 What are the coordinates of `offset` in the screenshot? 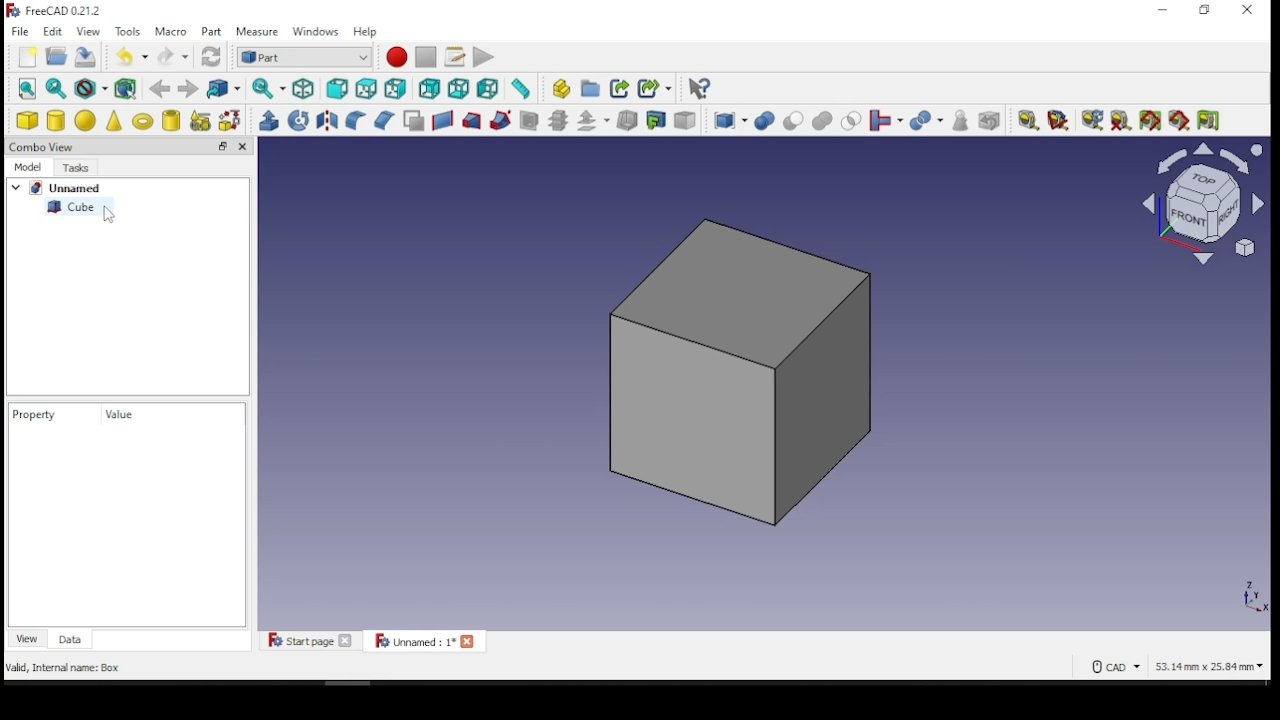 It's located at (594, 120).